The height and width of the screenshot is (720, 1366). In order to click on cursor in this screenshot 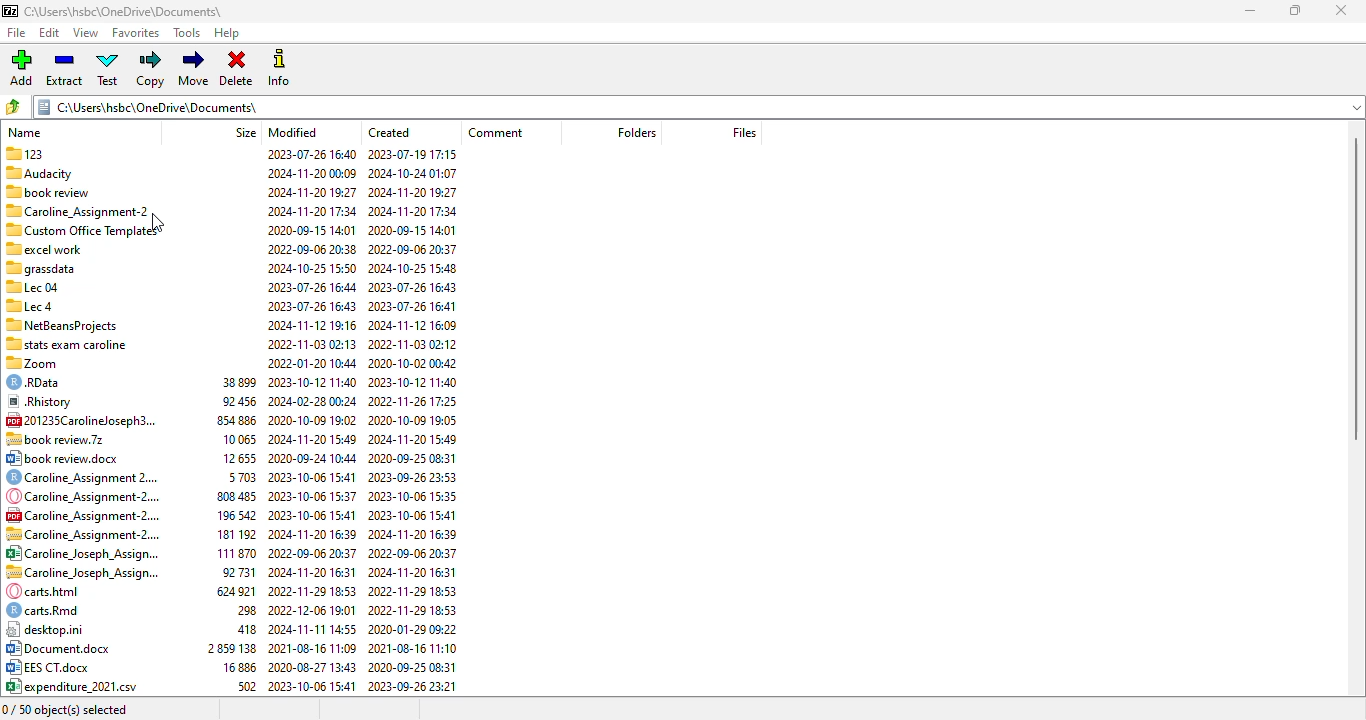, I will do `click(158, 224)`.